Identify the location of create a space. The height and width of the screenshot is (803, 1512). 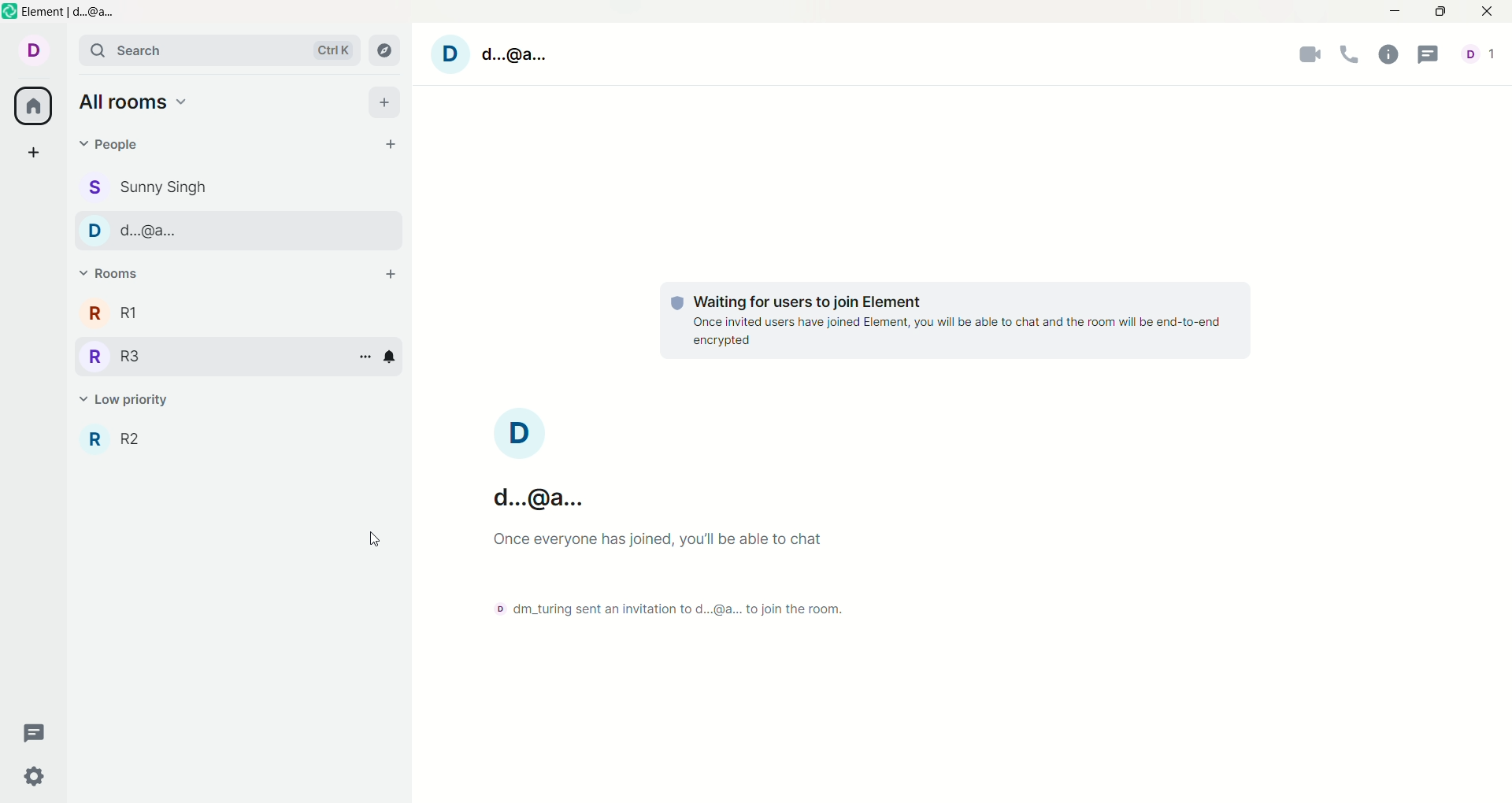
(29, 151).